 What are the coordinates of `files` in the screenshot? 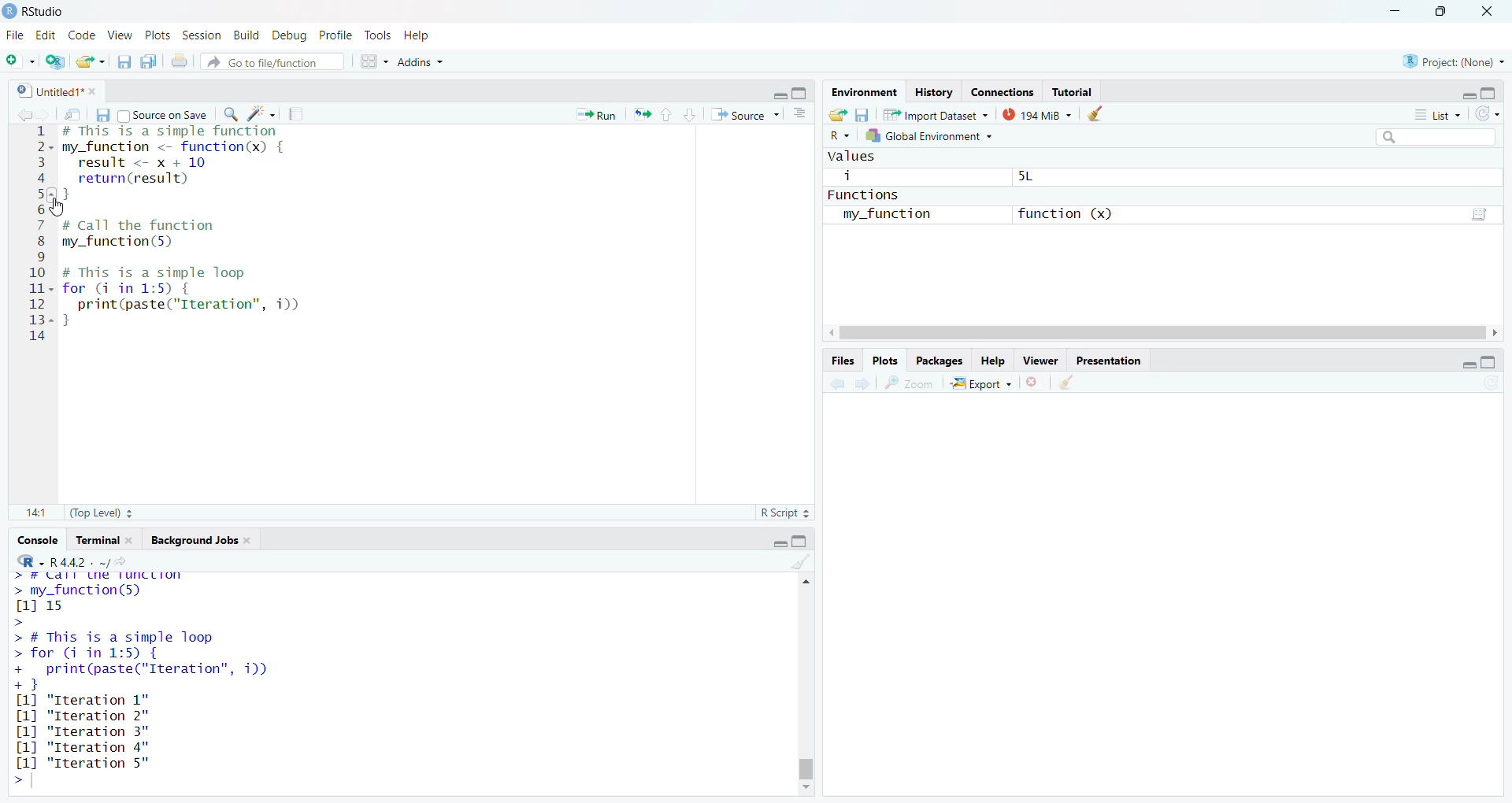 It's located at (841, 362).